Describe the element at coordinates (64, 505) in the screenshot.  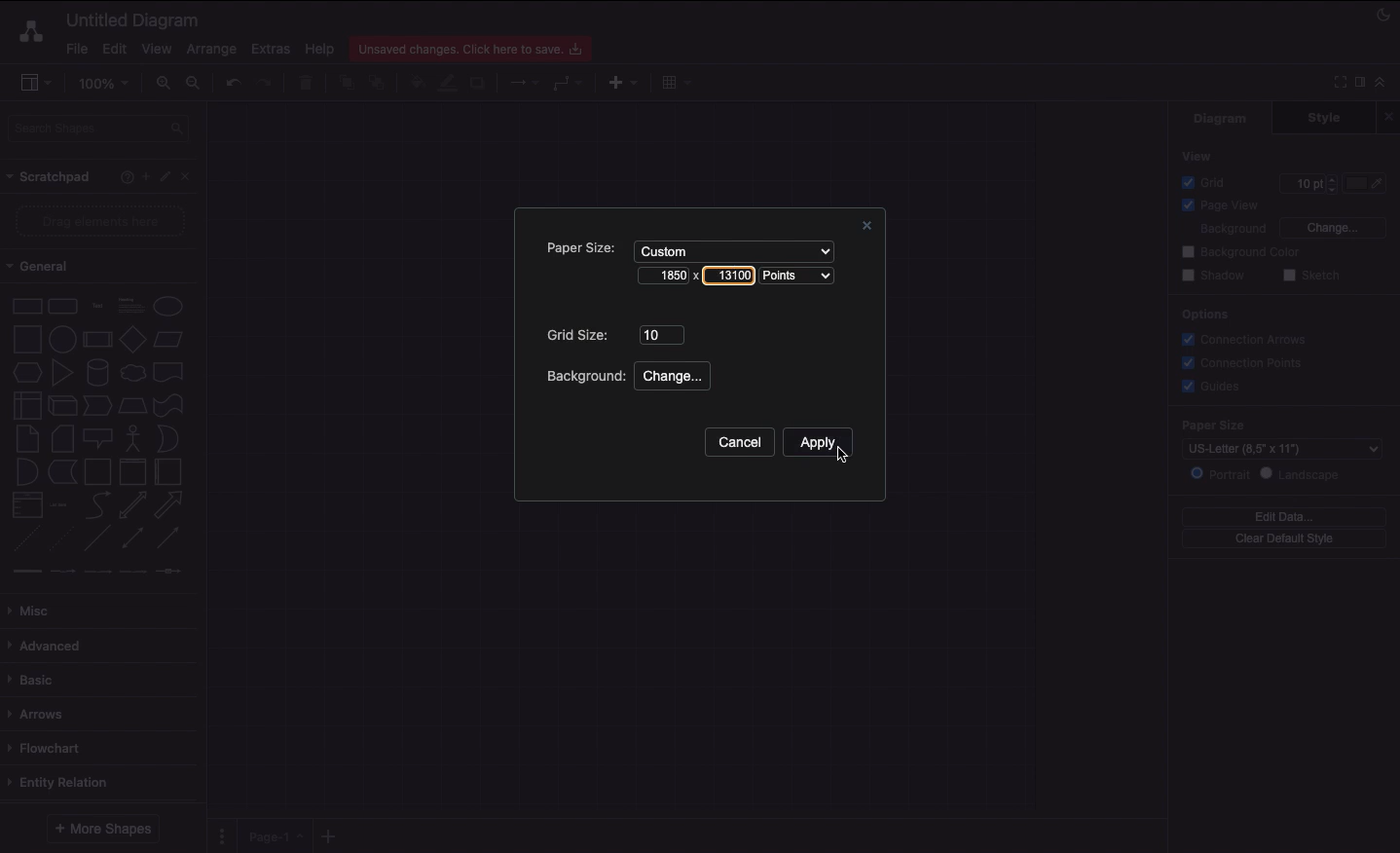
I see `Item list` at that location.